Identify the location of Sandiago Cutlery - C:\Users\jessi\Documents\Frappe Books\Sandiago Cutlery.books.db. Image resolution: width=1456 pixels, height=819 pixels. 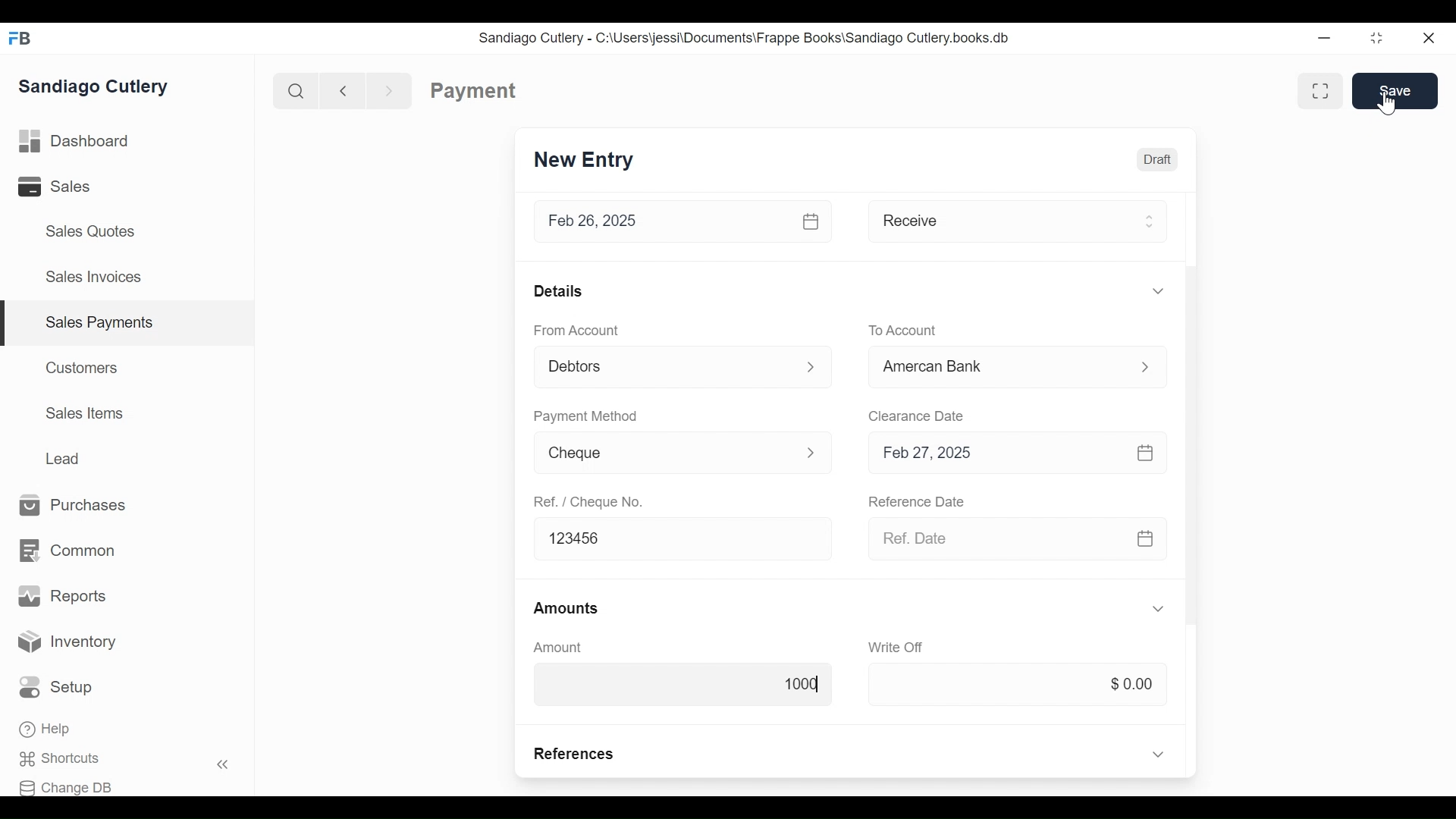
(744, 37).